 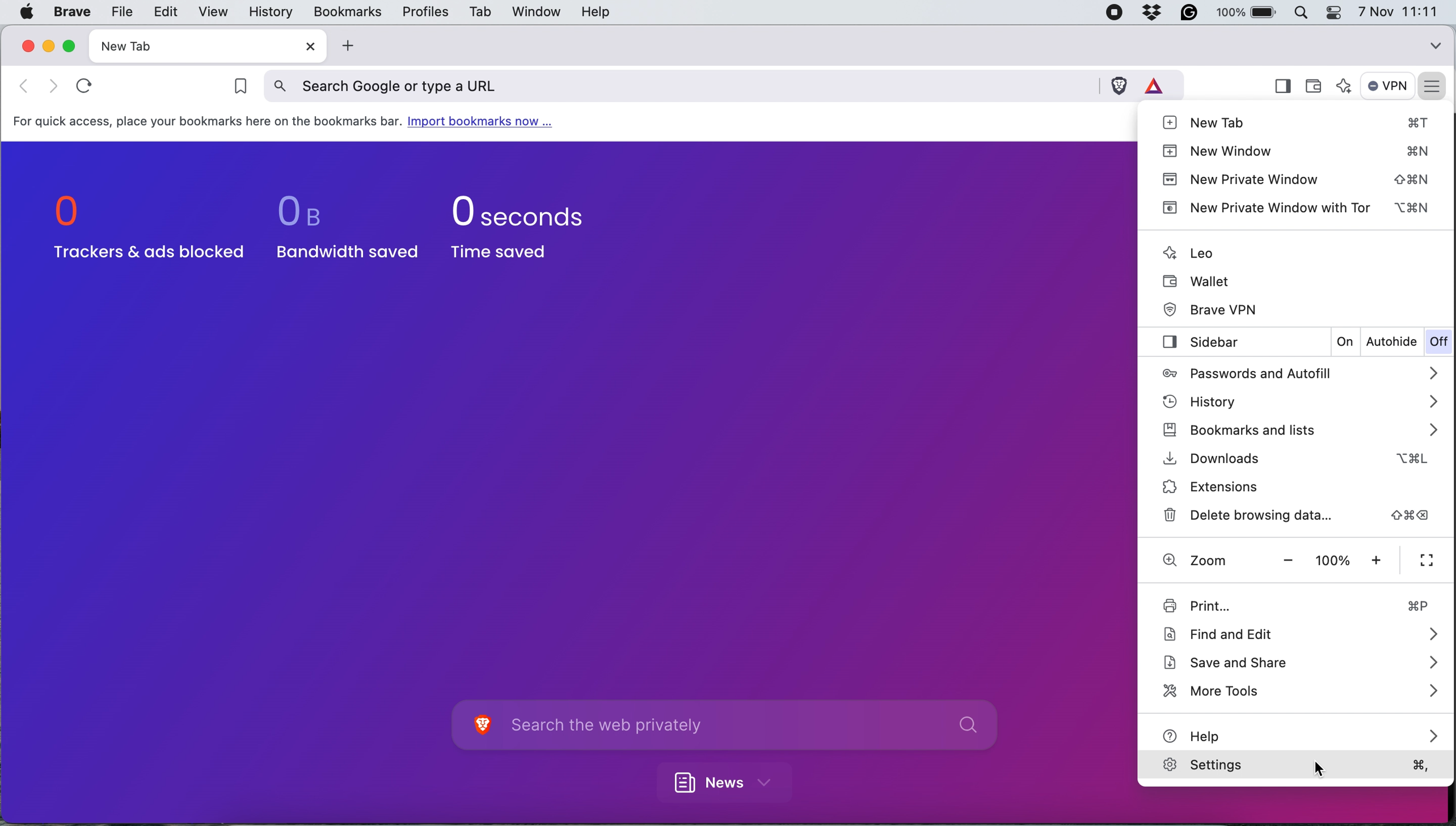 What do you see at coordinates (749, 726) in the screenshot?
I see `search the web privately` at bounding box center [749, 726].